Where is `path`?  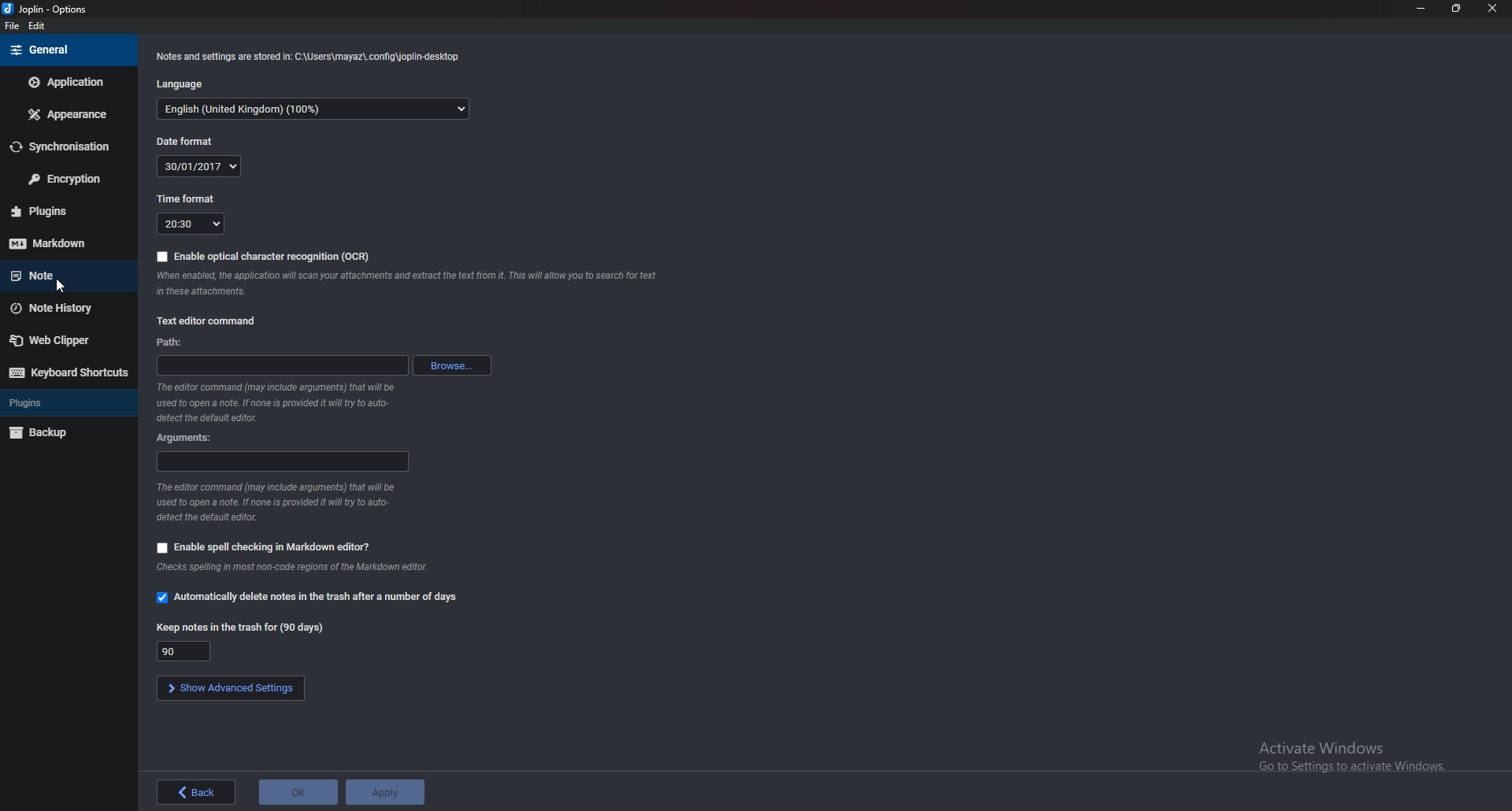
path is located at coordinates (176, 340).